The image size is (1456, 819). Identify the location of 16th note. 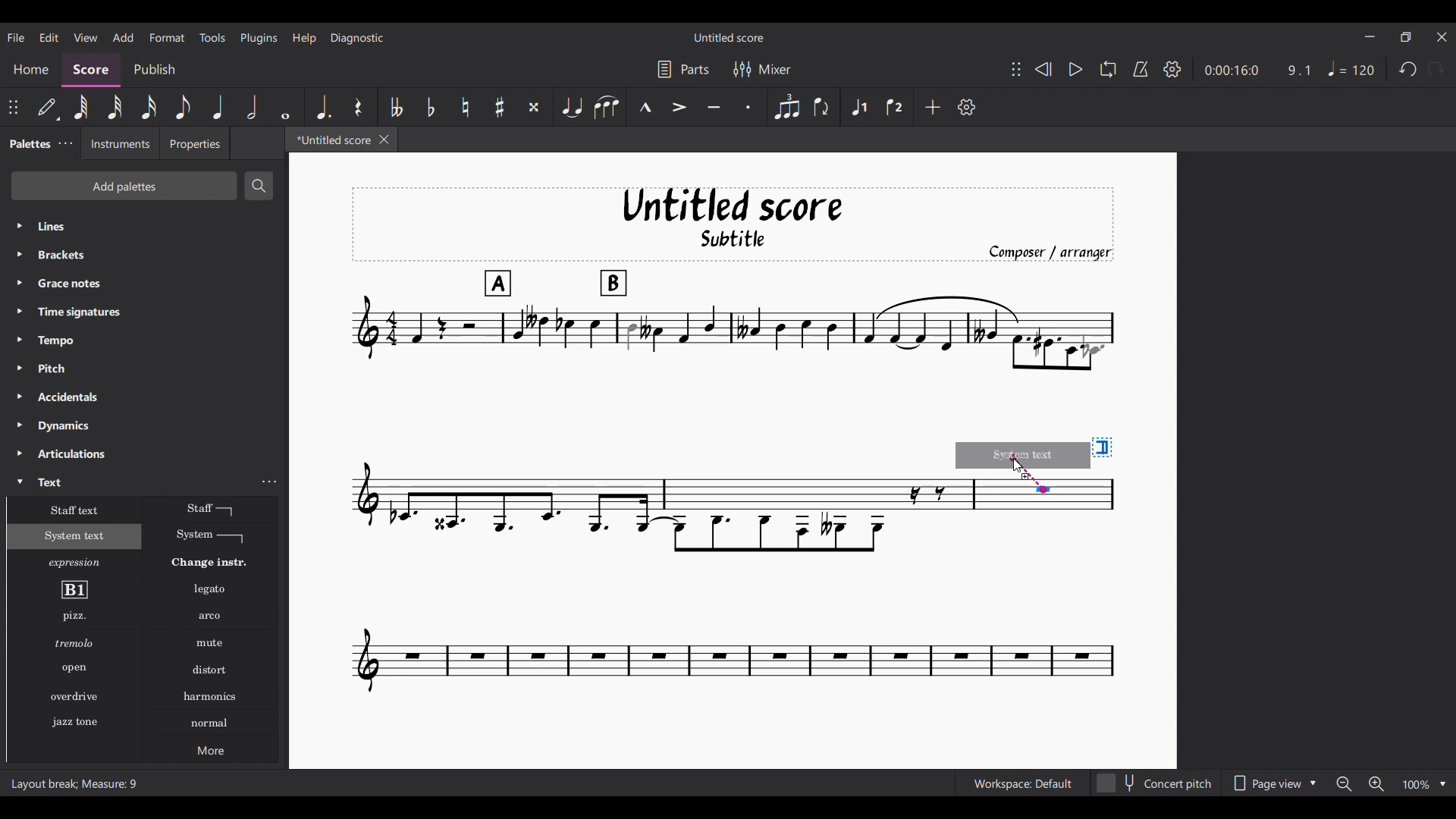
(149, 107).